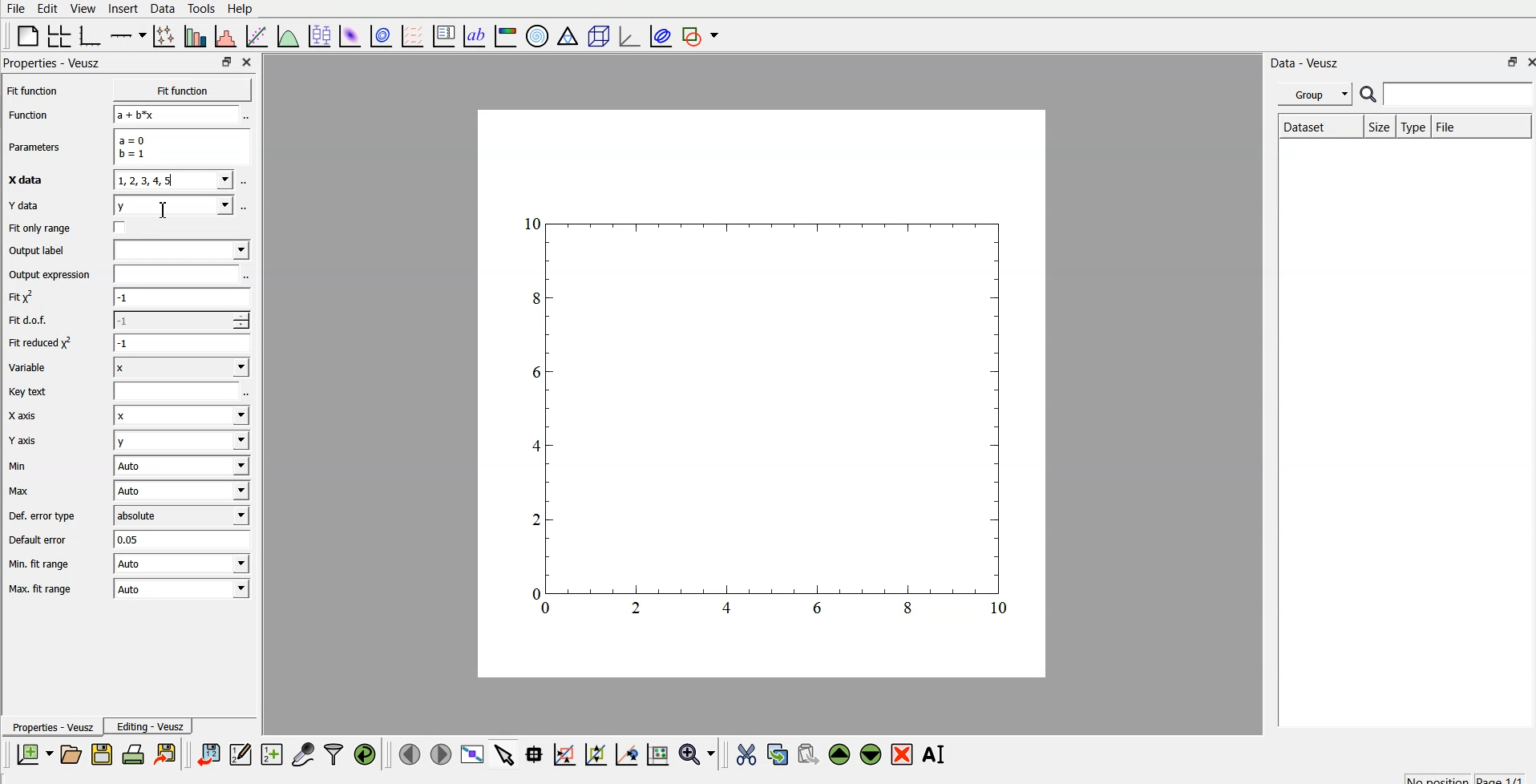  Describe the element at coordinates (1457, 94) in the screenshot. I see `search for dataset names` at that location.